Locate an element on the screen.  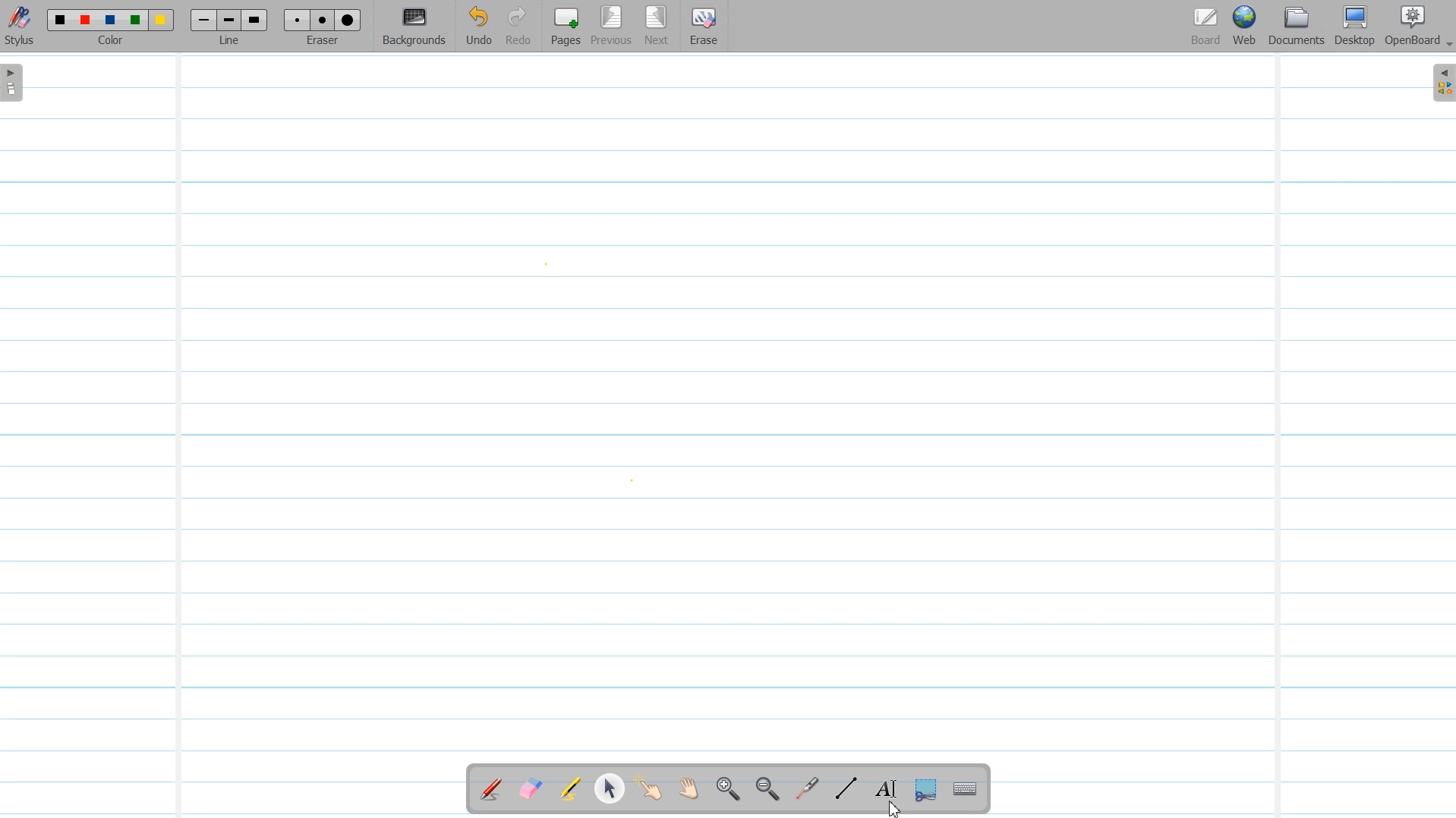
Undo is located at coordinates (478, 27).